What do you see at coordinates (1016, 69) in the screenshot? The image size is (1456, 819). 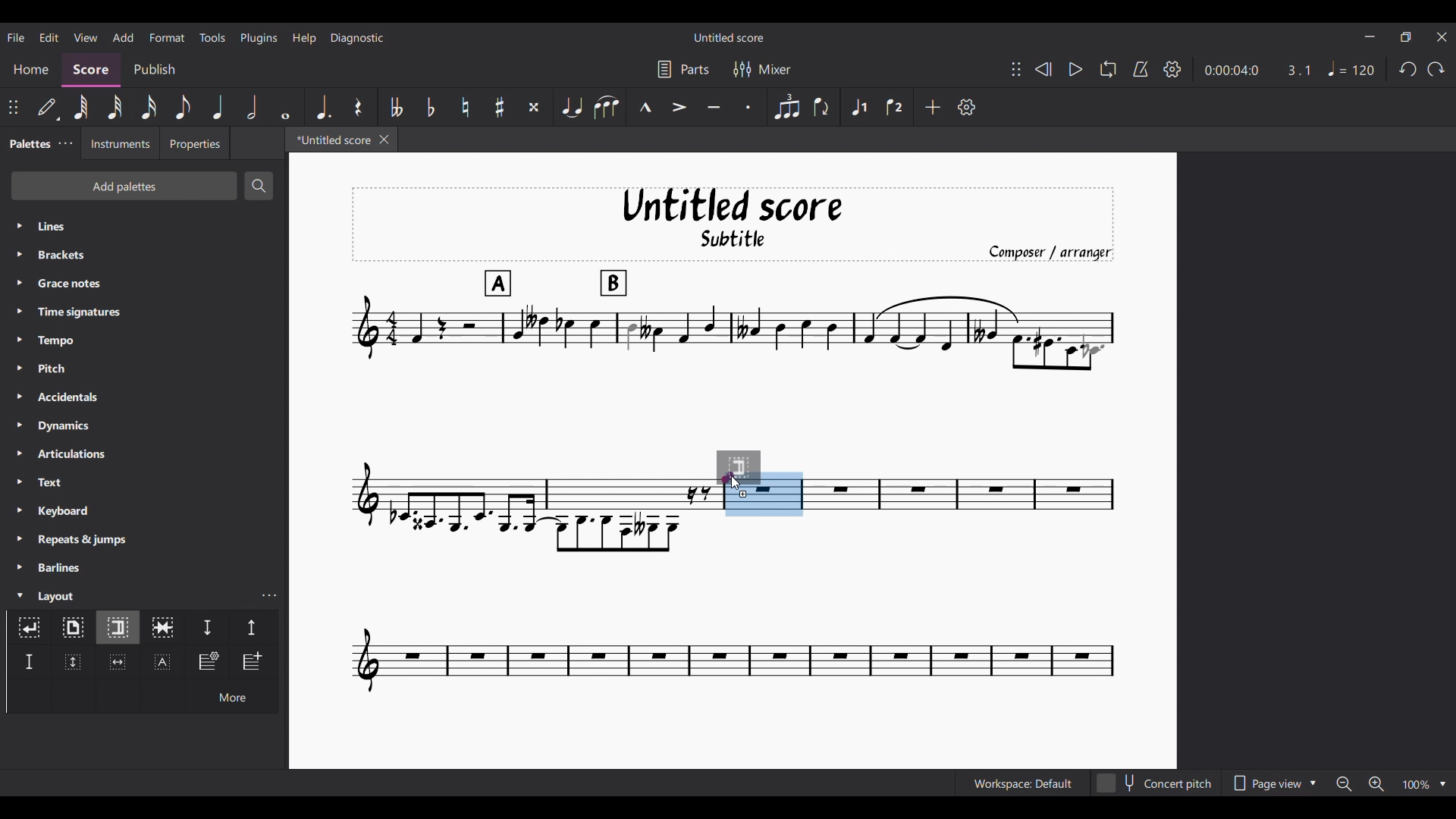 I see `Change position` at bounding box center [1016, 69].